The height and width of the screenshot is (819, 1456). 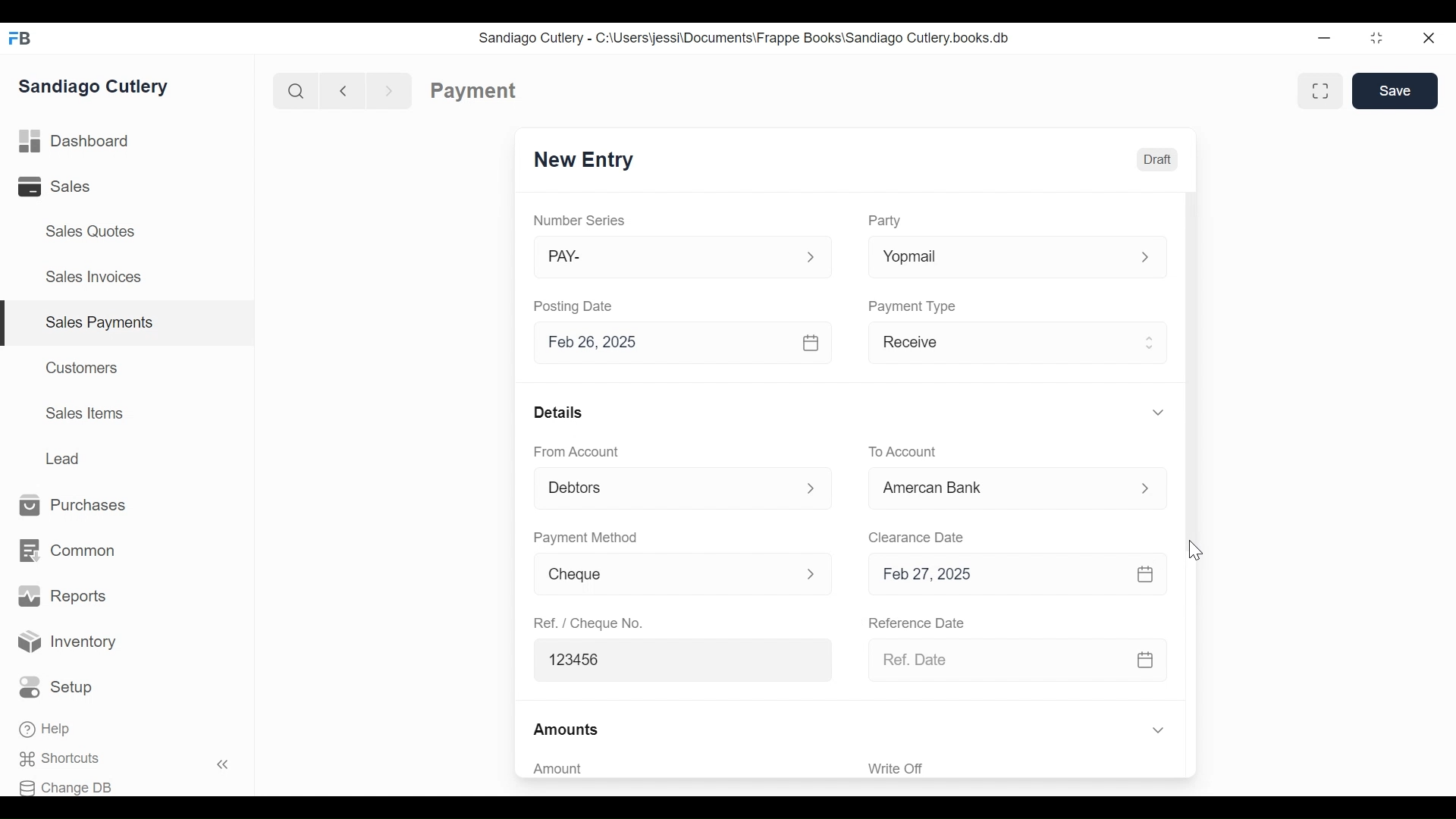 What do you see at coordinates (578, 452) in the screenshot?
I see `From Account` at bounding box center [578, 452].